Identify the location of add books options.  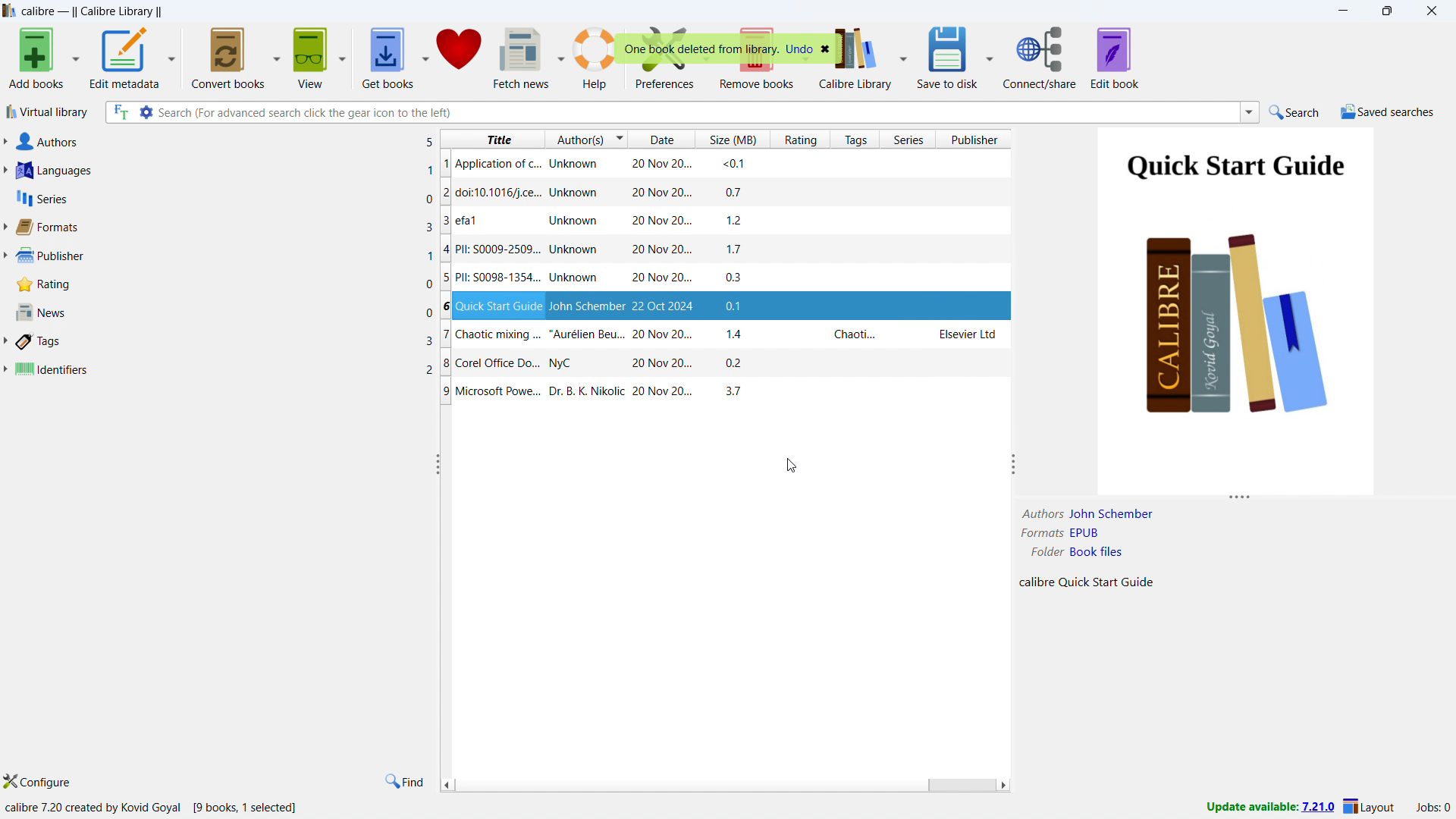
(76, 57).